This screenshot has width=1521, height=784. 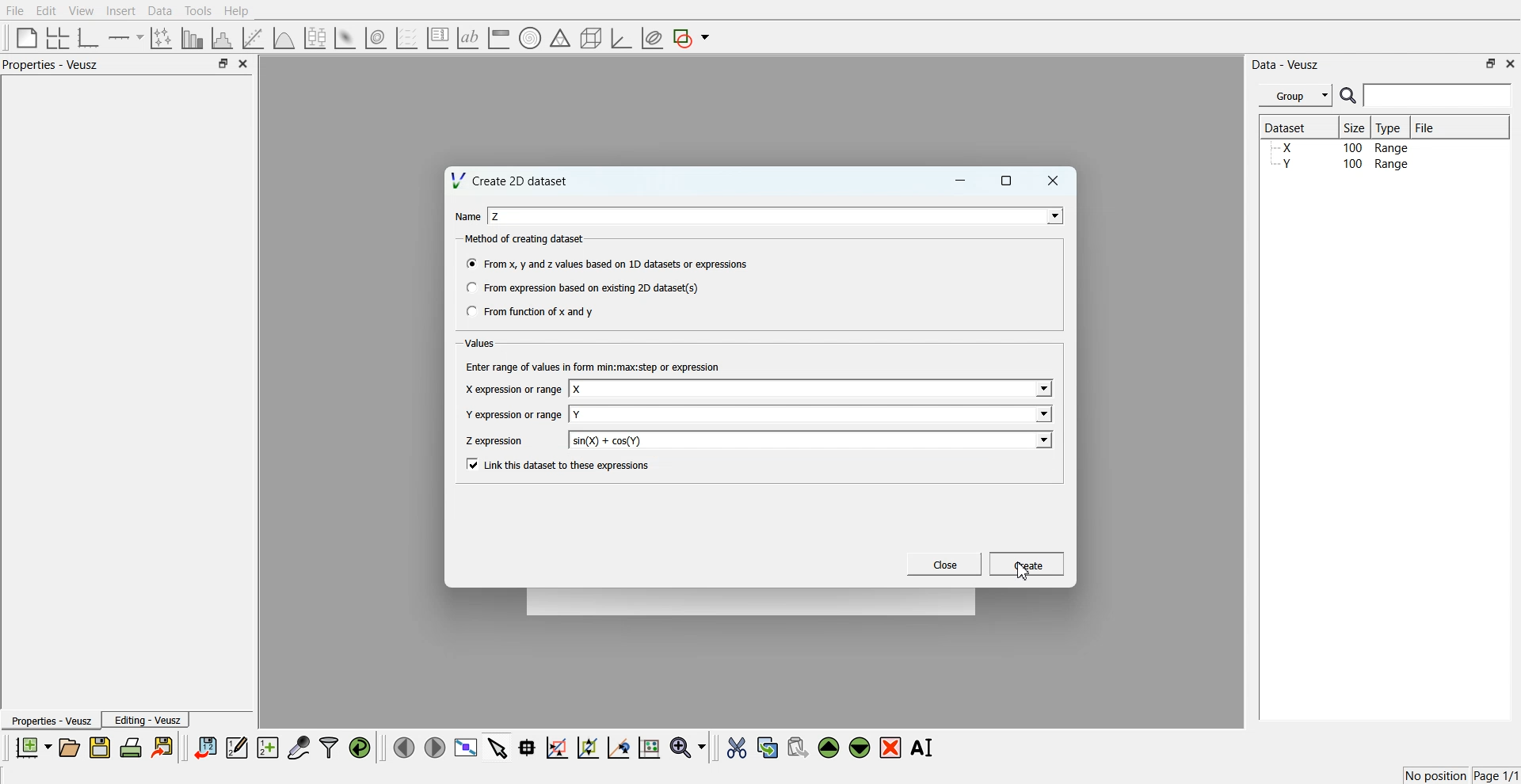 I want to click on Drop down, so click(x=1042, y=413).